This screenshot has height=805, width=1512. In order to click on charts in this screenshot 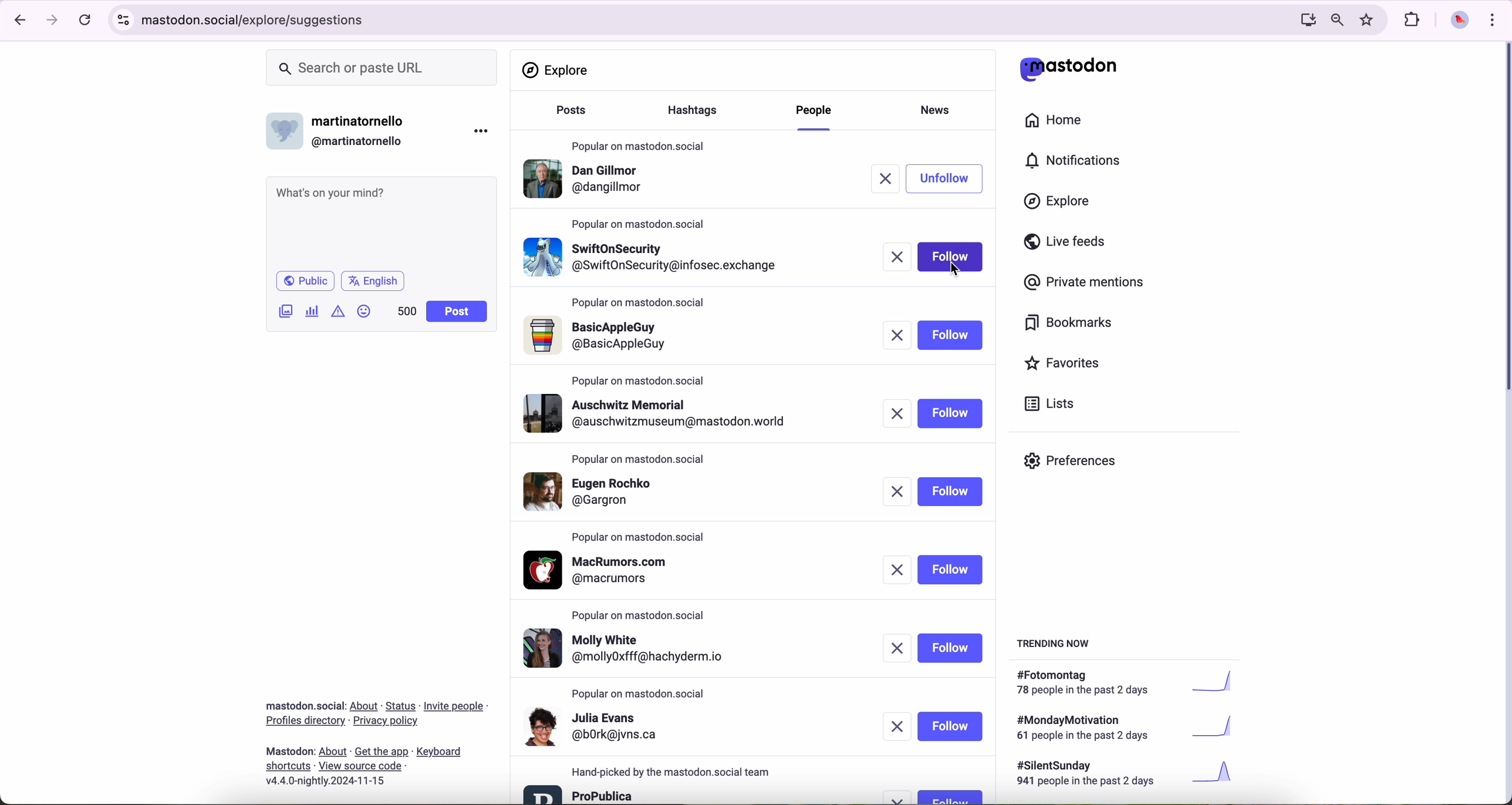, I will do `click(315, 311)`.